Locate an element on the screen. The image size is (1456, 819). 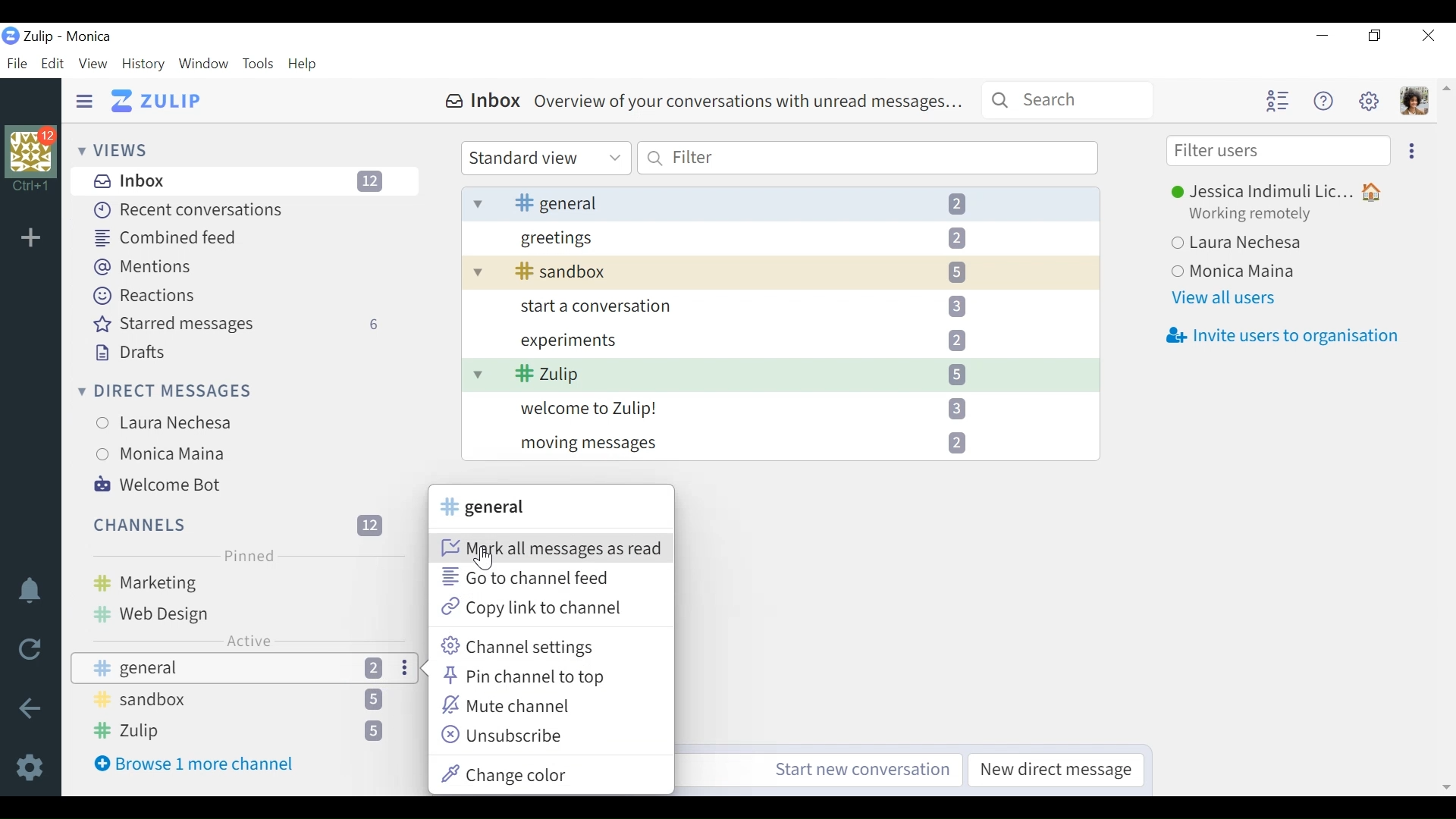
Ellipse is located at coordinates (1412, 149).